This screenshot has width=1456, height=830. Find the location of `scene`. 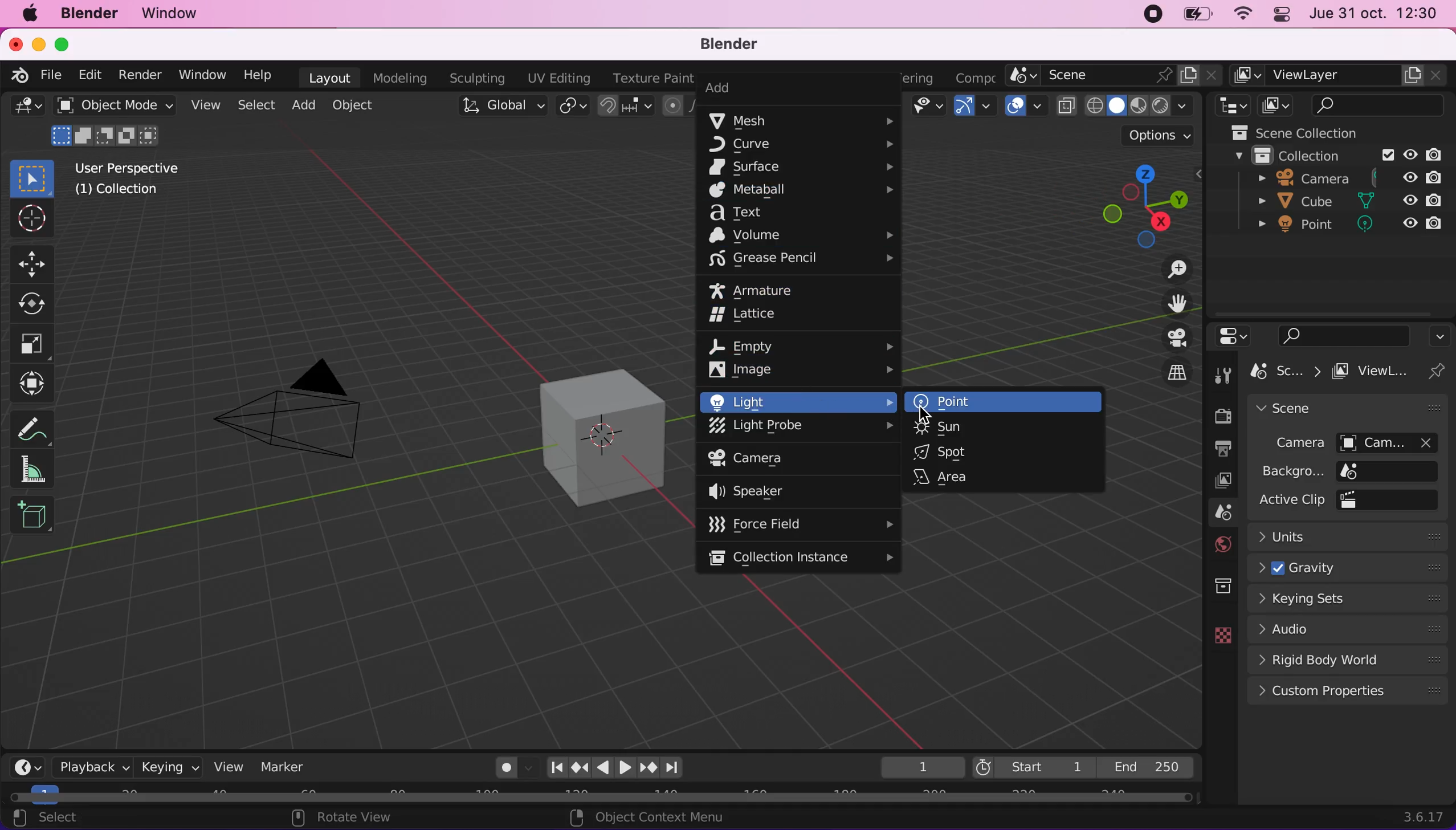

scene is located at coordinates (1218, 513).